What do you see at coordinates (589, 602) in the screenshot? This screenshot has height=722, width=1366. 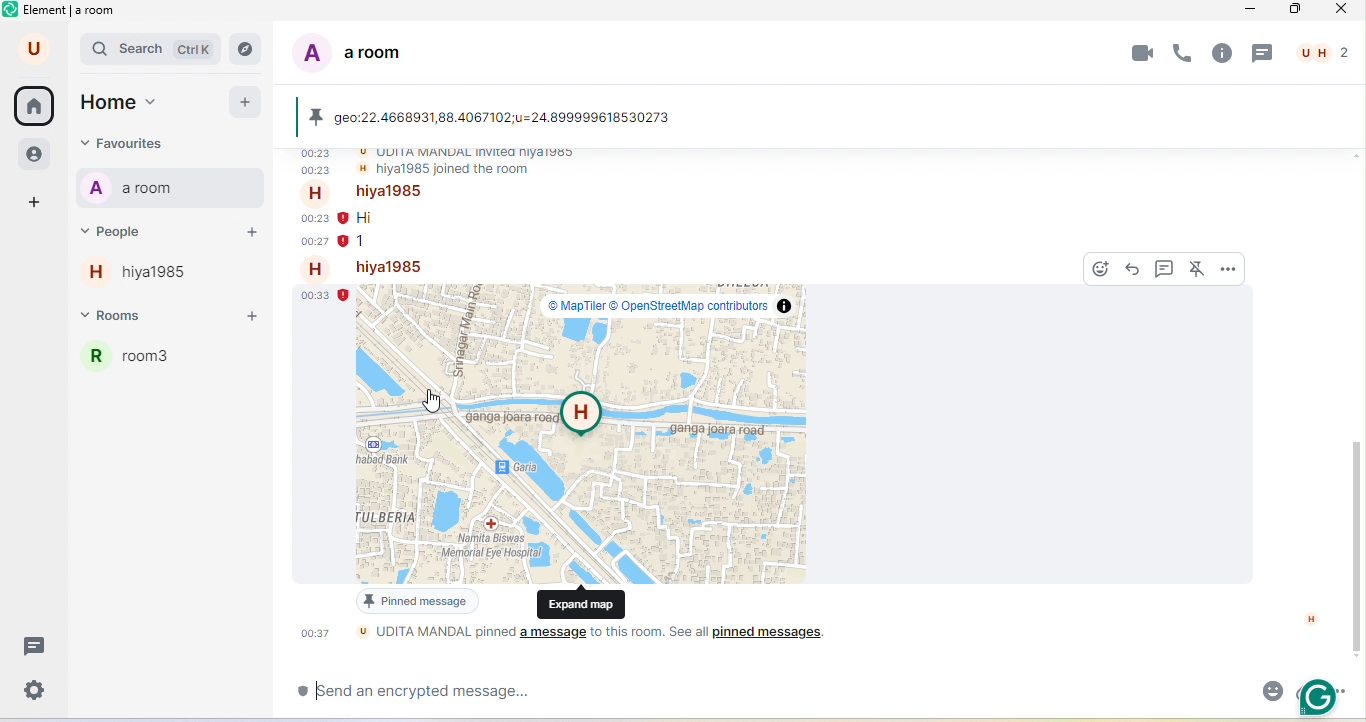 I see `expand map` at bounding box center [589, 602].